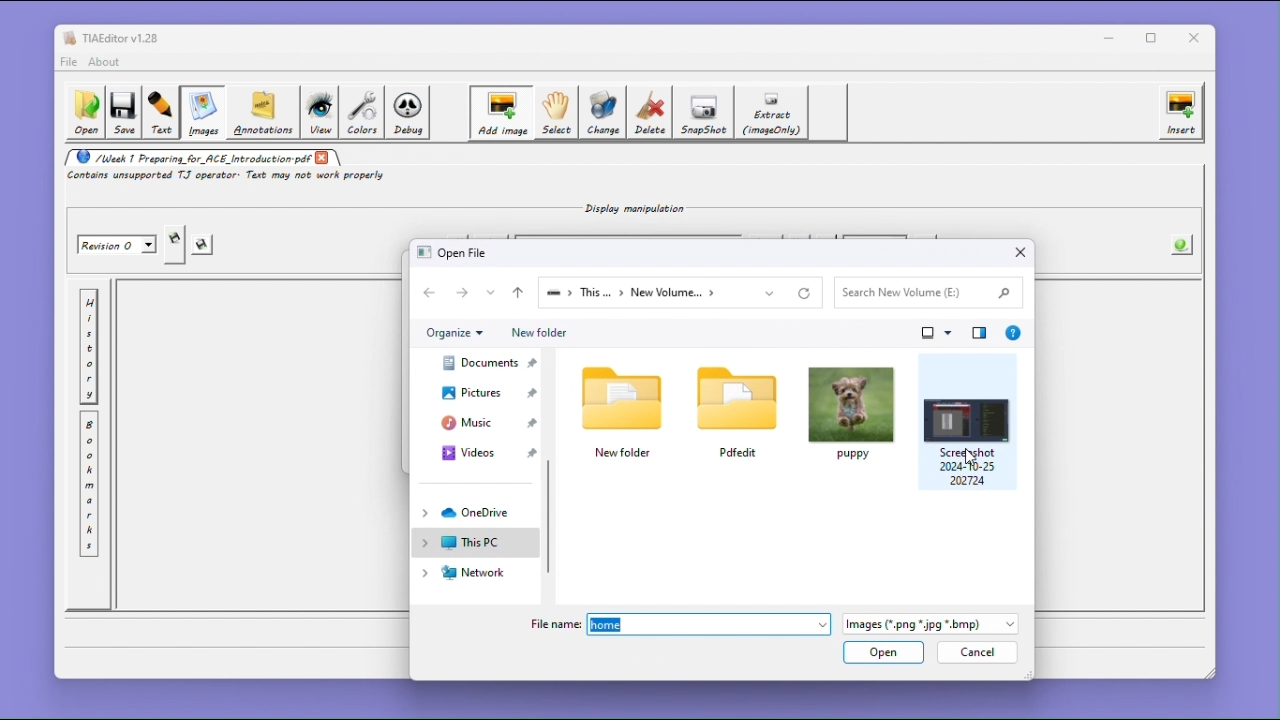 This screenshot has height=720, width=1280. Describe the element at coordinates (1021, 253) in the screenshot. I see `close` at that location.